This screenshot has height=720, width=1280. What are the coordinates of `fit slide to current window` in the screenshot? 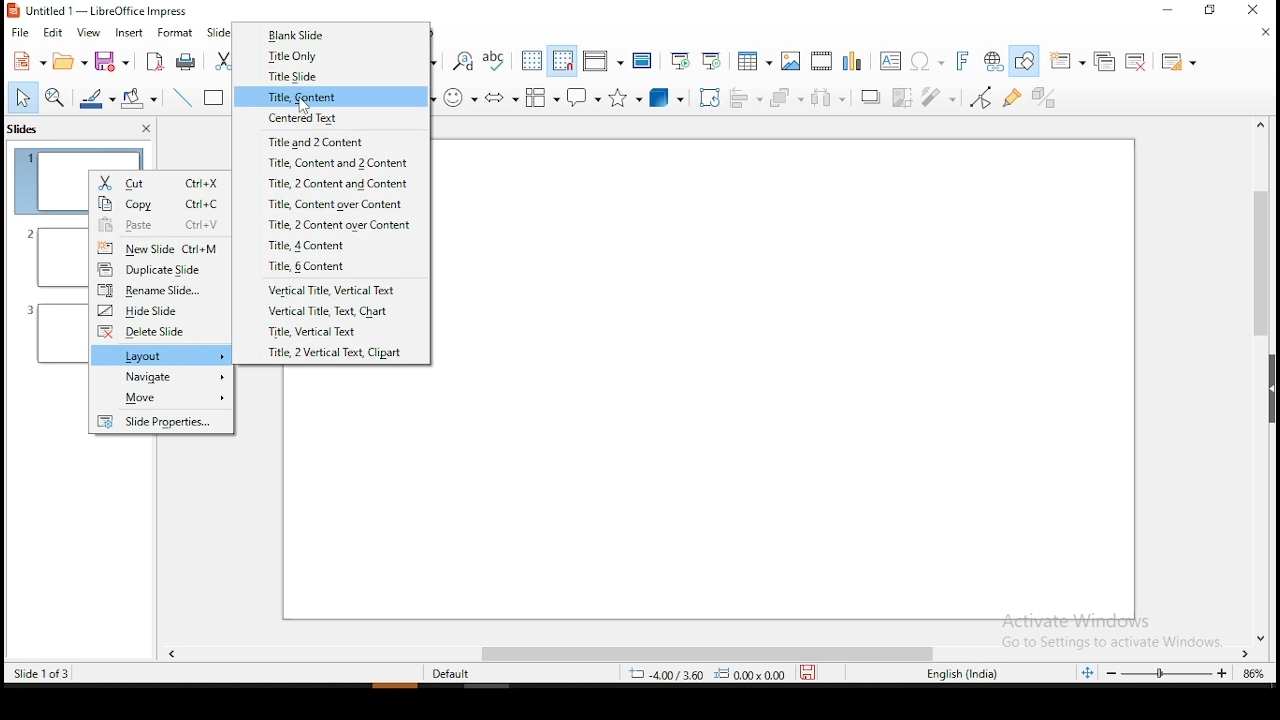 It's located at (1088, 674).